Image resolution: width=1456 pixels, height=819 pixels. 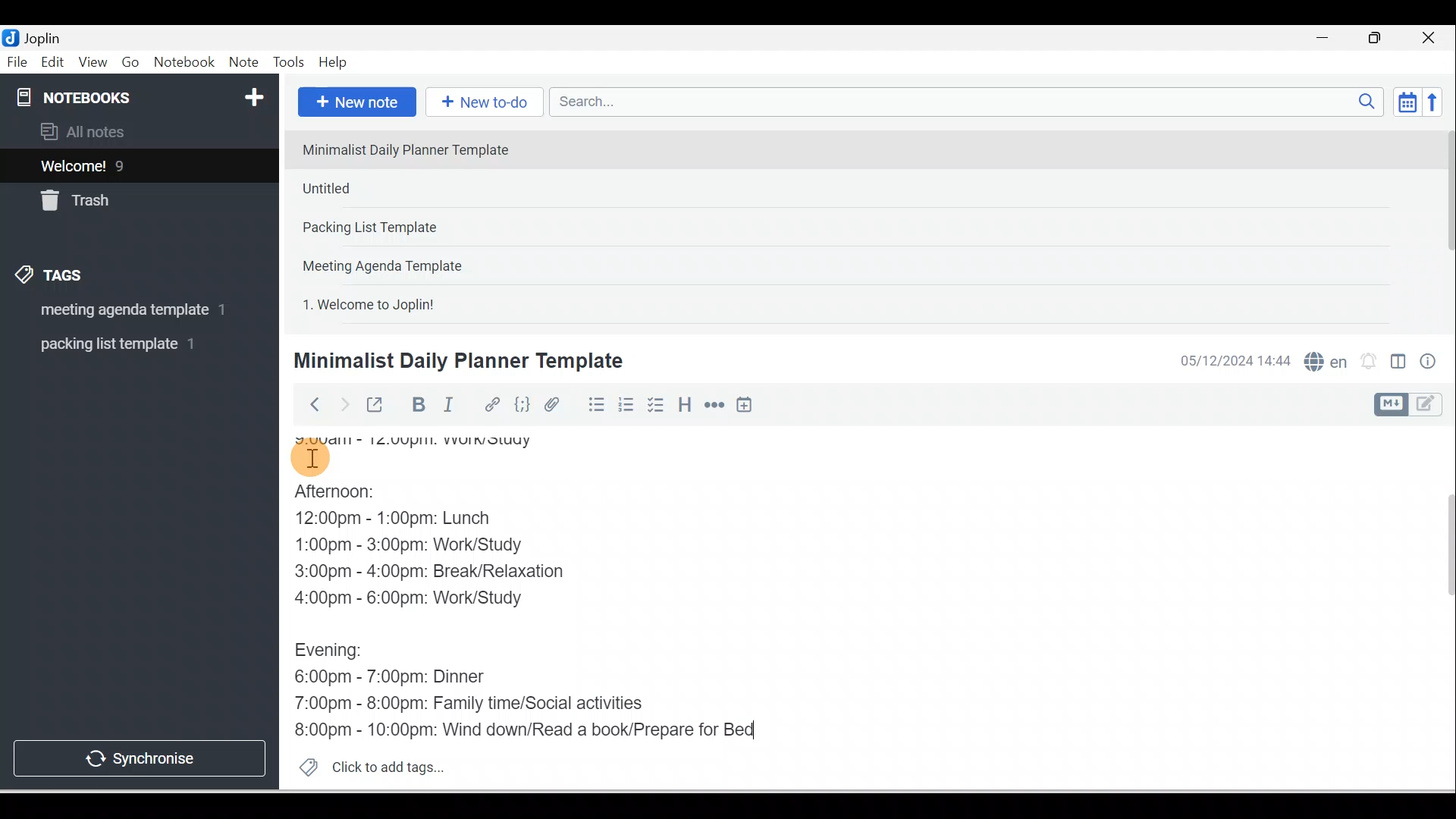 I want to click on Note 3, so click(x=418, y=228).